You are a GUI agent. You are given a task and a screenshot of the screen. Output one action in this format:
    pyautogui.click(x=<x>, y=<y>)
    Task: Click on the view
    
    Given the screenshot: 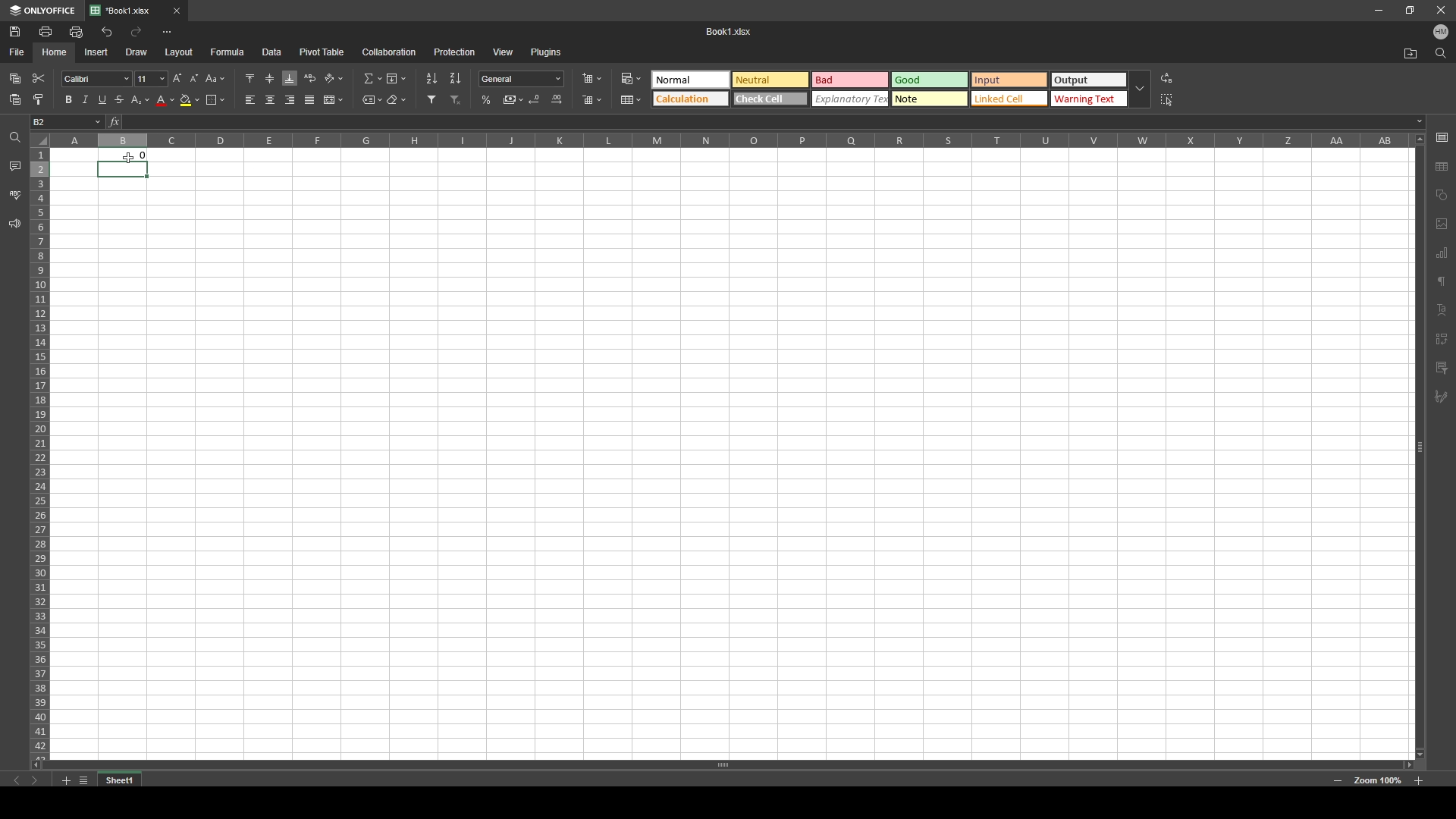 What is the action you would take?
    pyautogui.click(x=503, y=52)
    